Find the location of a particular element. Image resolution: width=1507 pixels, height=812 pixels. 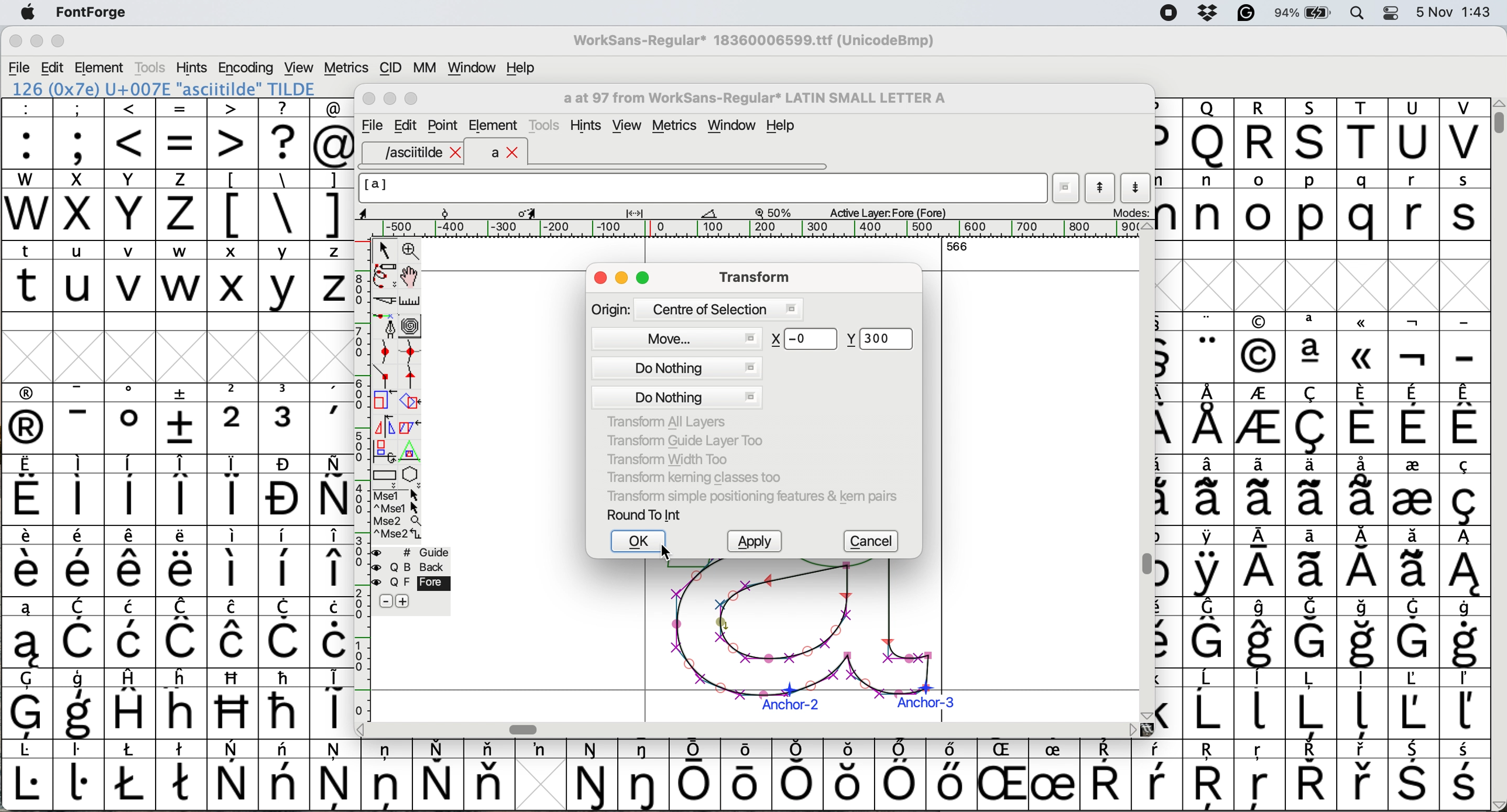

o is located at coordinates (1261, 207).